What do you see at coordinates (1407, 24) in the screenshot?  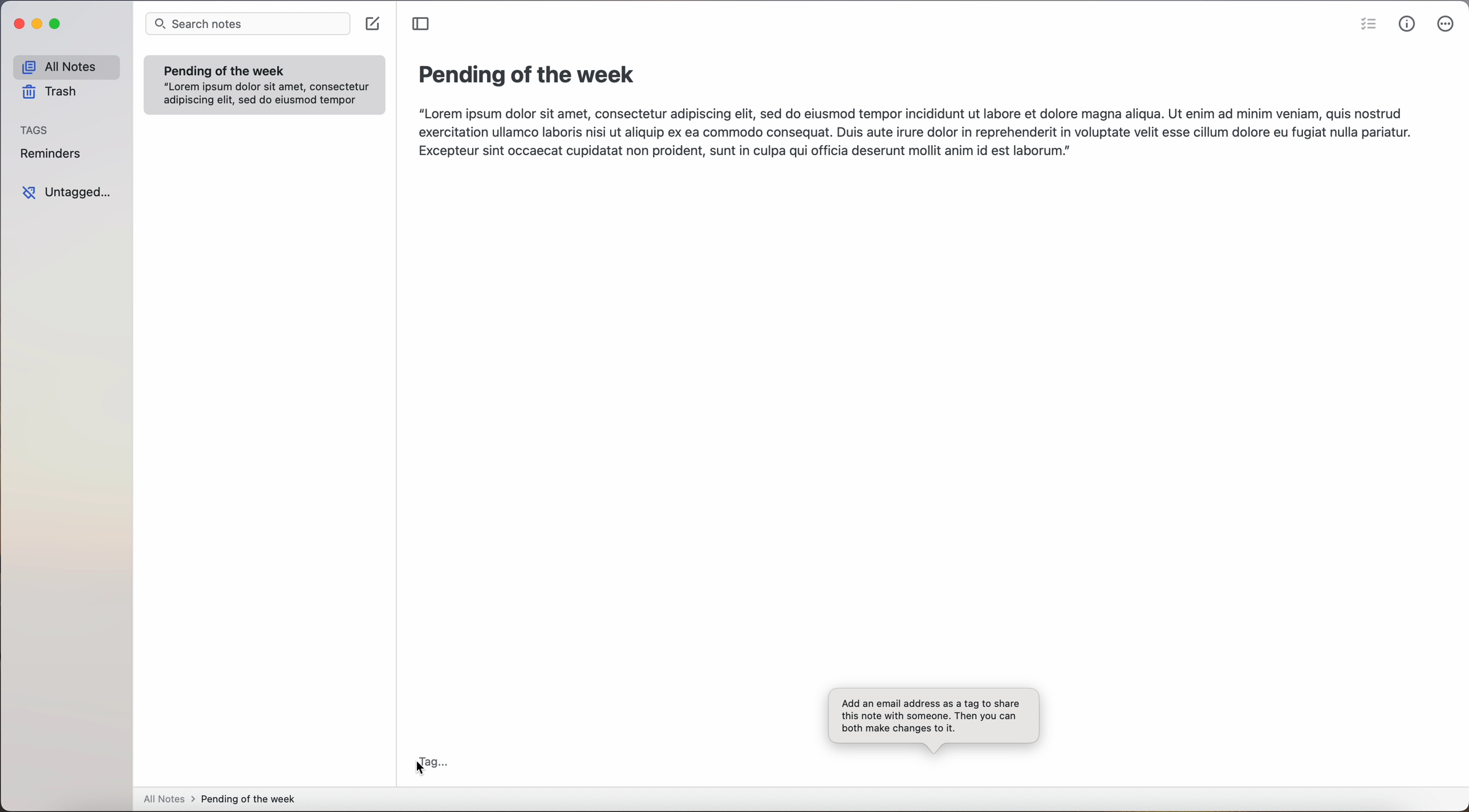 I see `metrics` at bounding box center [1407, 24].